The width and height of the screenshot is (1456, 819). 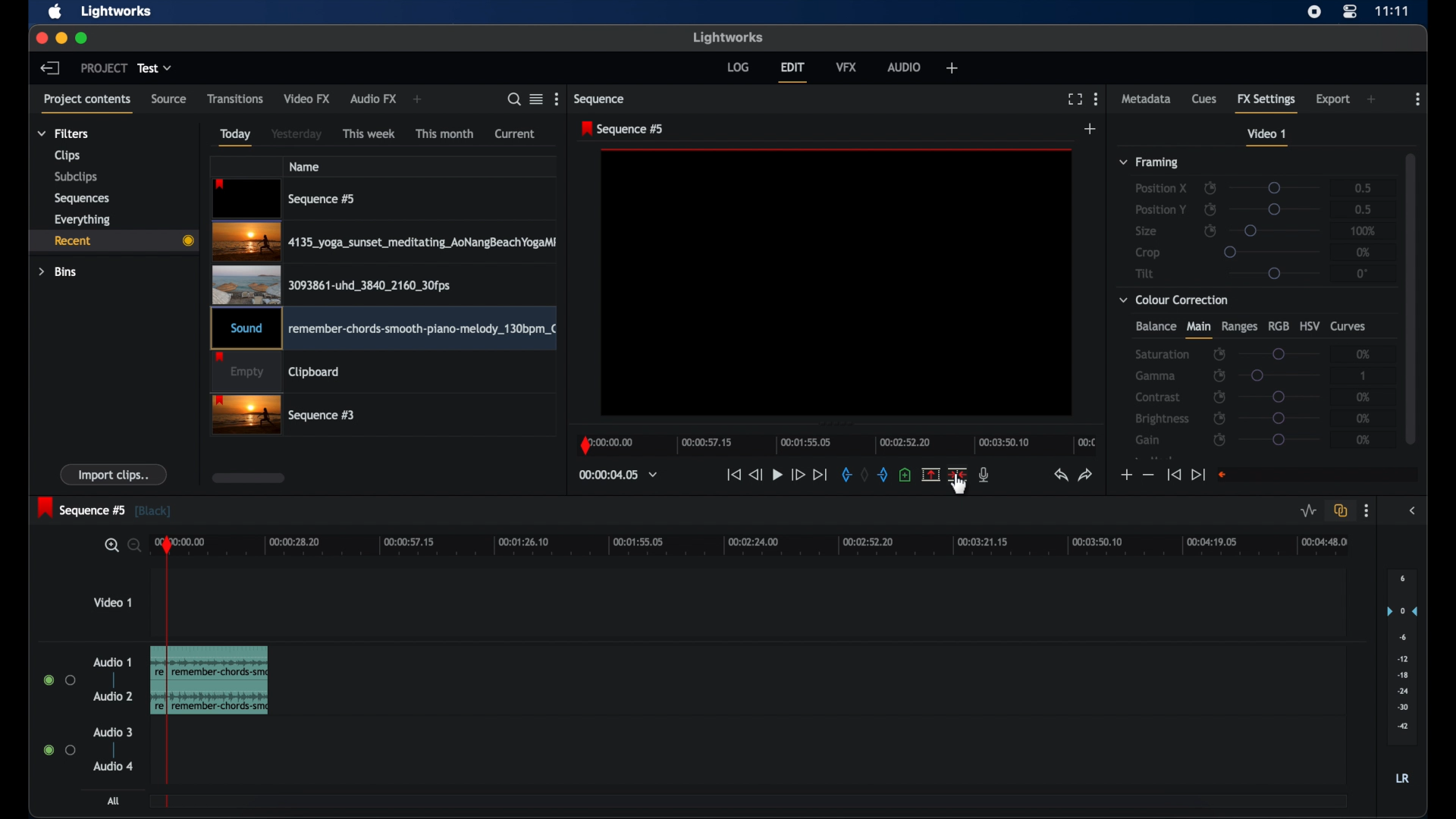 What do you see at coordinates (1210, 209) in the screenshot?
I see `enable/disable keyframe` at bounding box center [1210, 209].